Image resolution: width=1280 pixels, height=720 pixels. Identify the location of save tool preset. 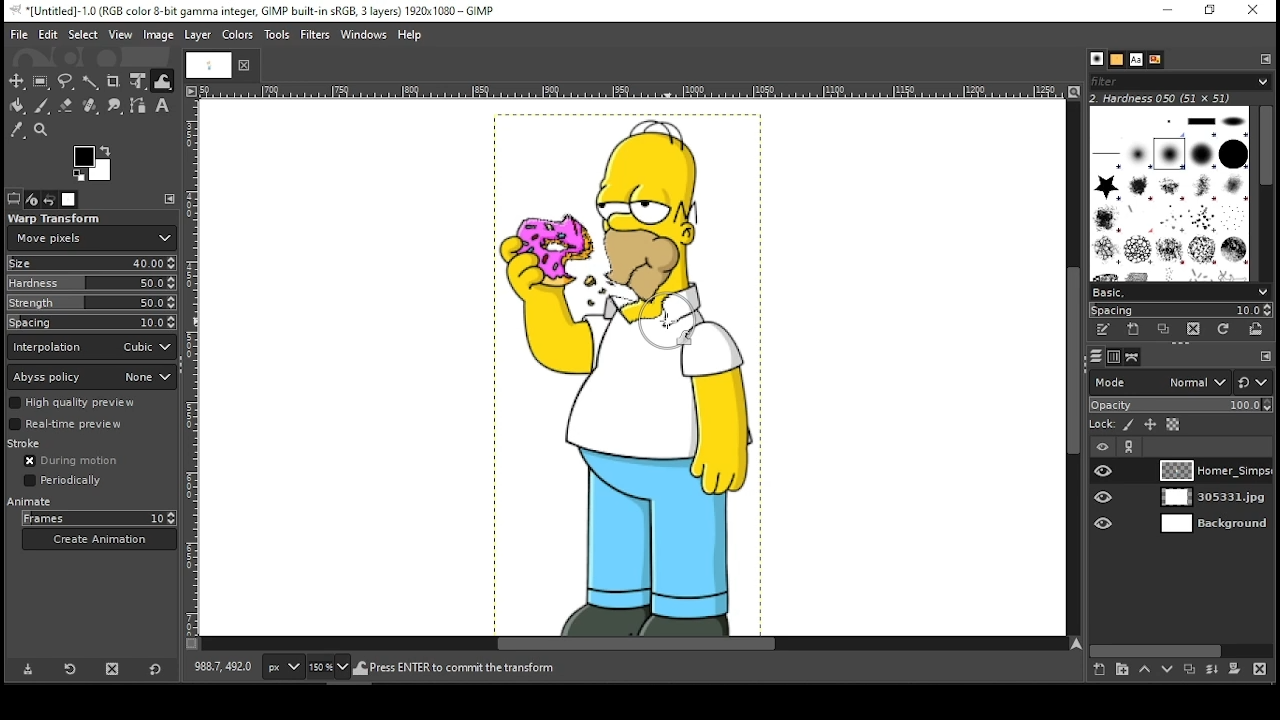
(27, 669).